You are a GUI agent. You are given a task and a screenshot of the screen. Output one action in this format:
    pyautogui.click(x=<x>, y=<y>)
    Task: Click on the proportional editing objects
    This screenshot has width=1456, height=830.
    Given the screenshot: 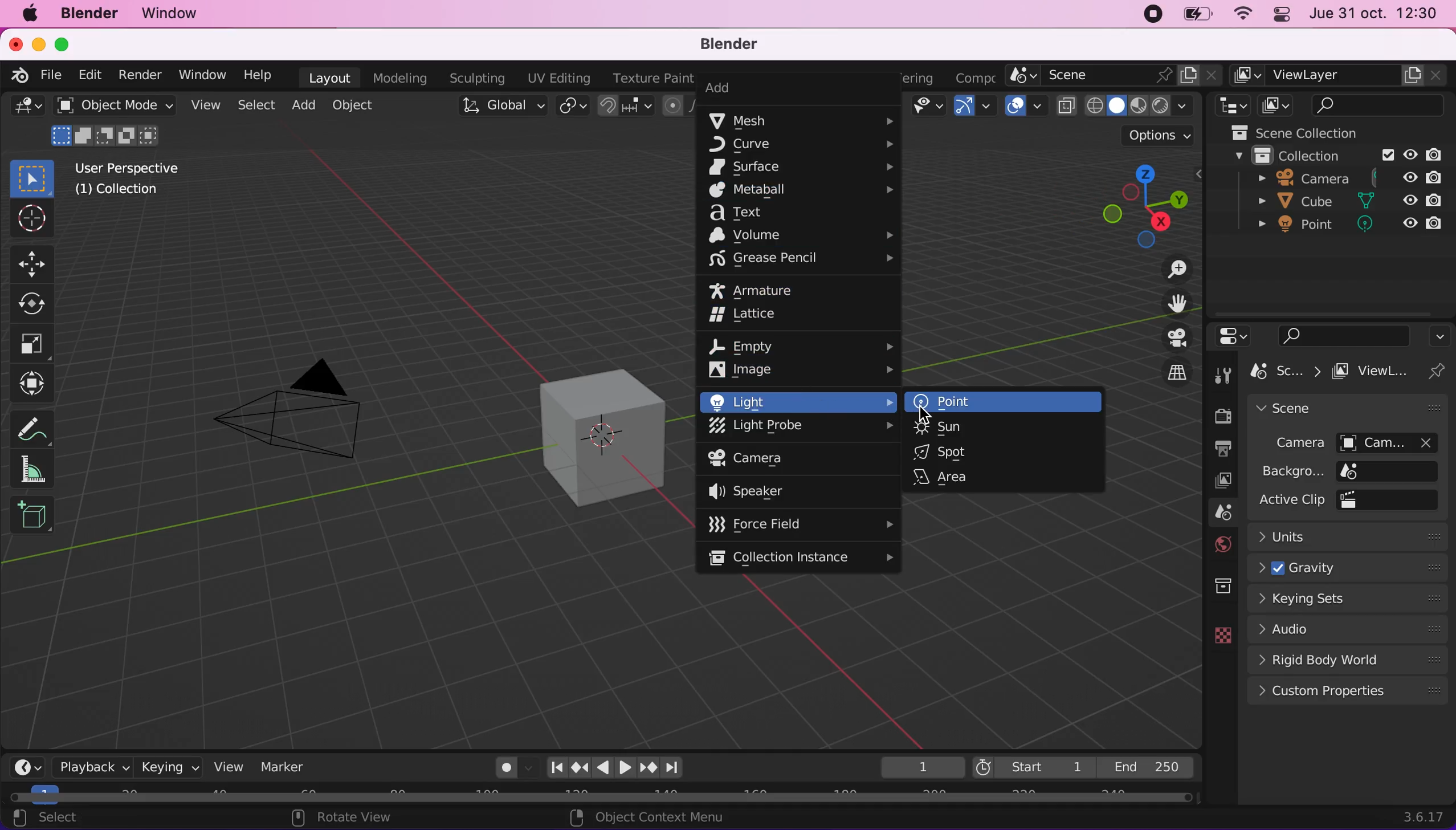 What is the action you would take?
    pyautogui.click(x=677, y=105)
    